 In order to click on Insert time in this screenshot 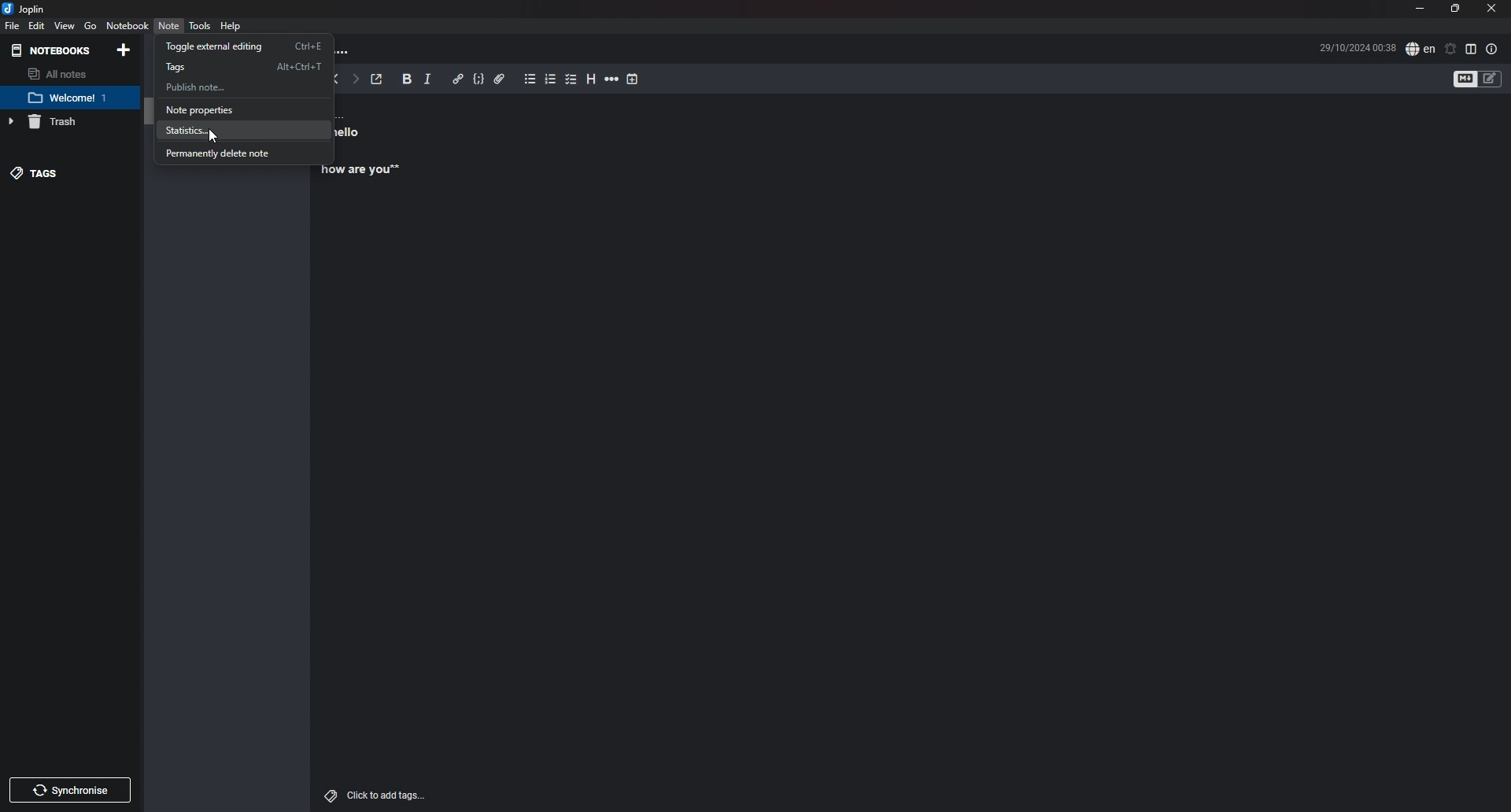, I will do `click(634, 79)`.